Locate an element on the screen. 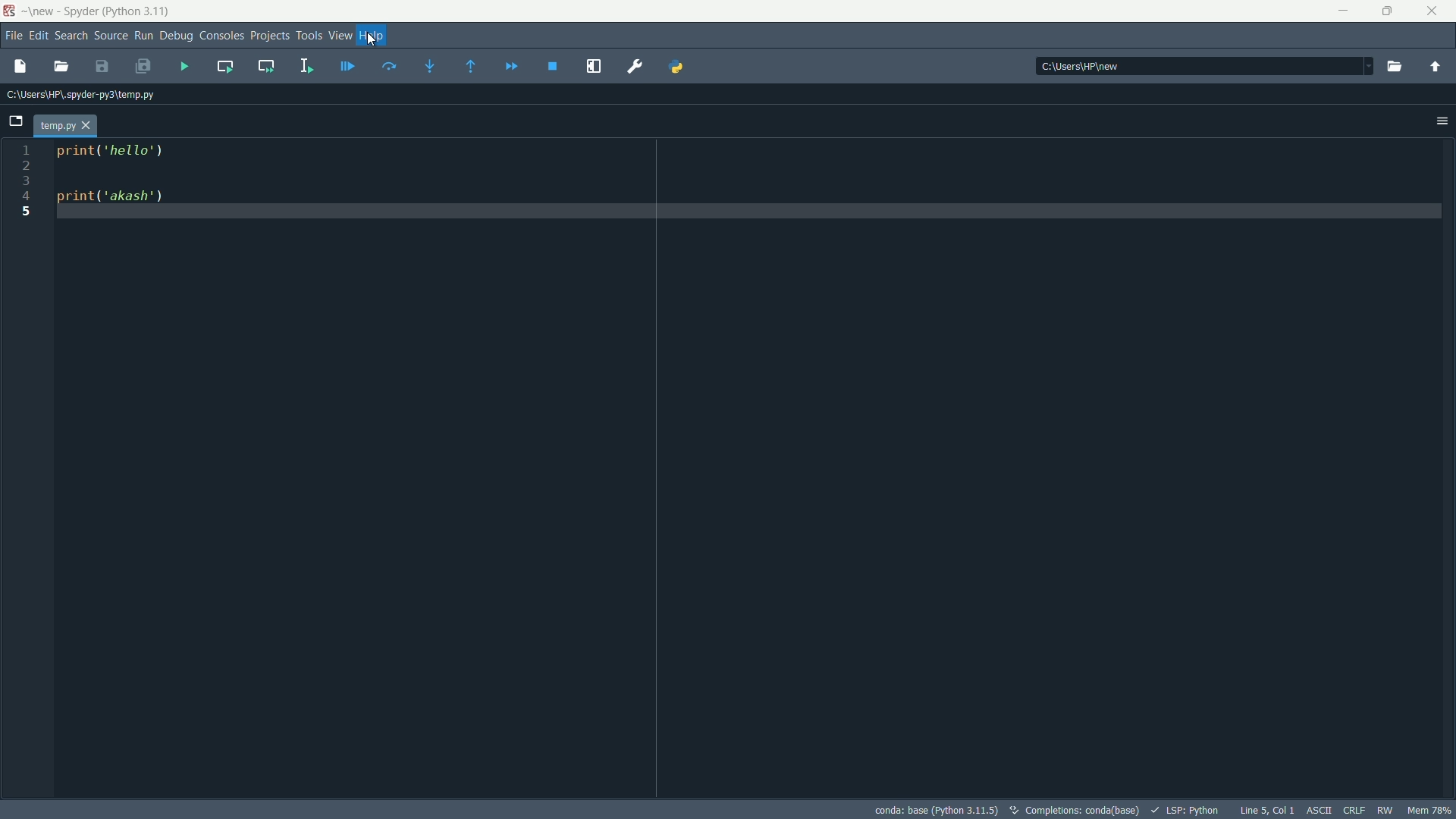 The width and height of the screenshot is (1456, 819). file name is located at coordinates (58, 125).